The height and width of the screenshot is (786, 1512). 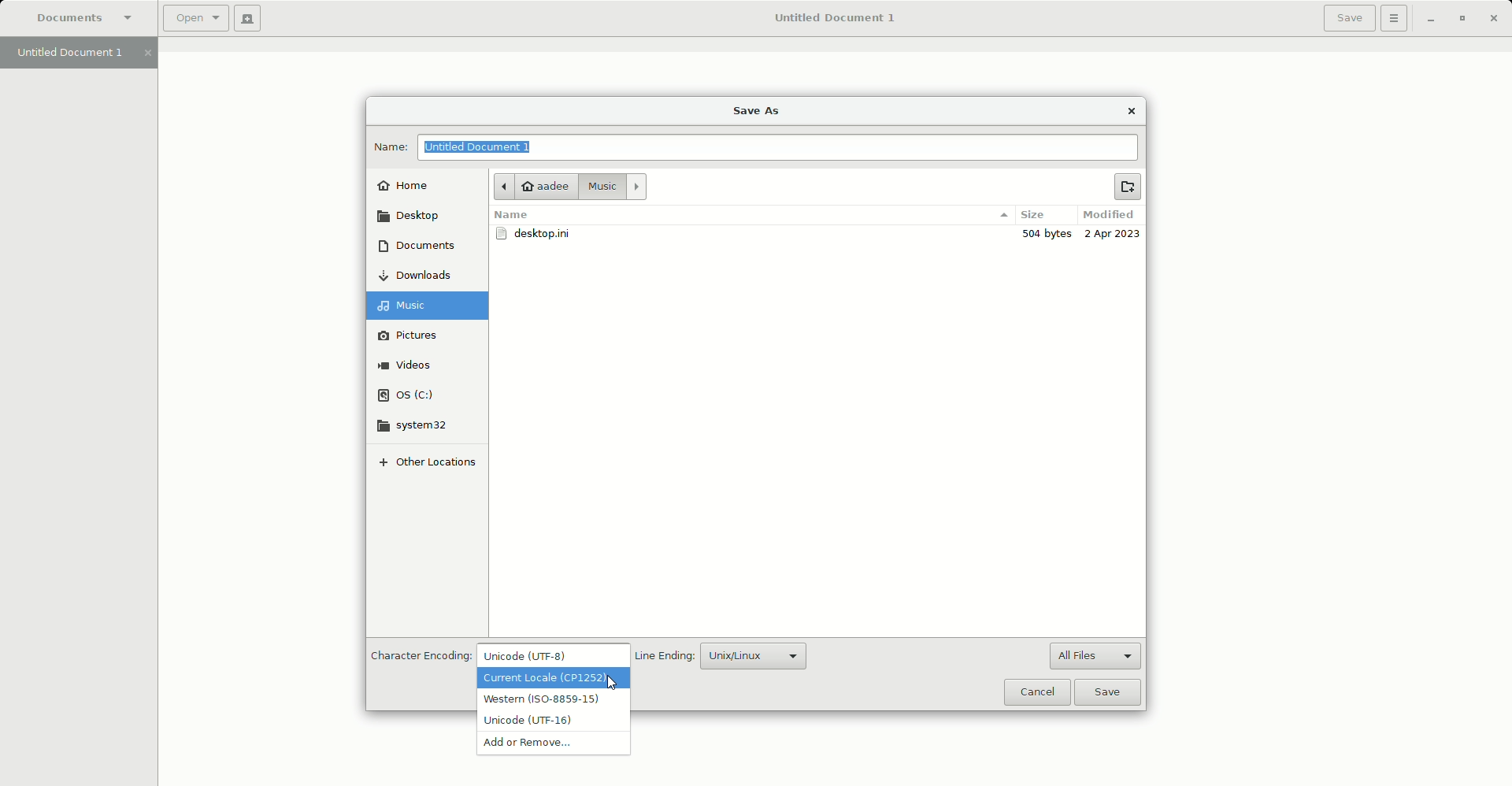 I want to click on system32, so click(x=427, y=425).